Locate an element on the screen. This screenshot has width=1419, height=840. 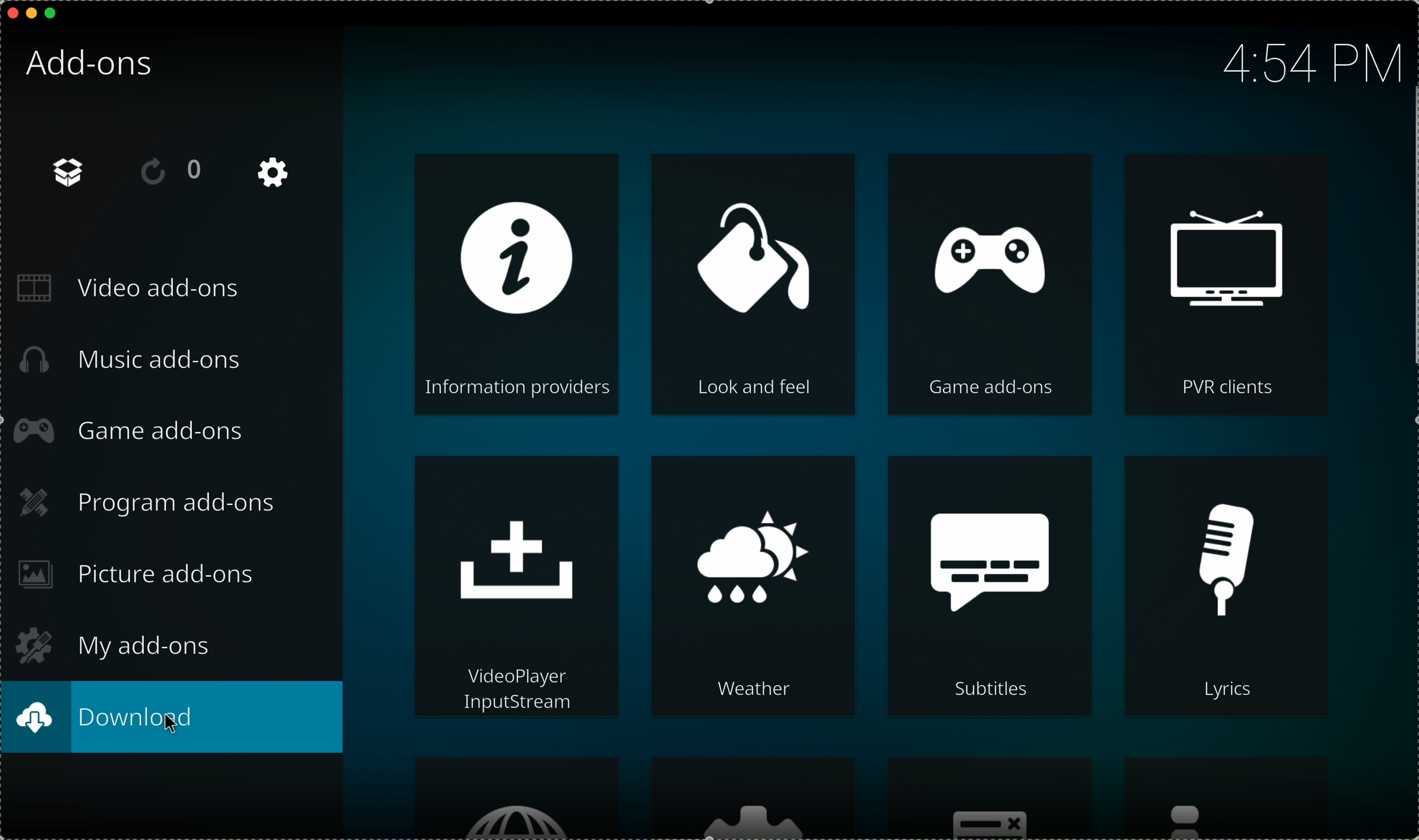
maximize is located at coordinates (52, 13).